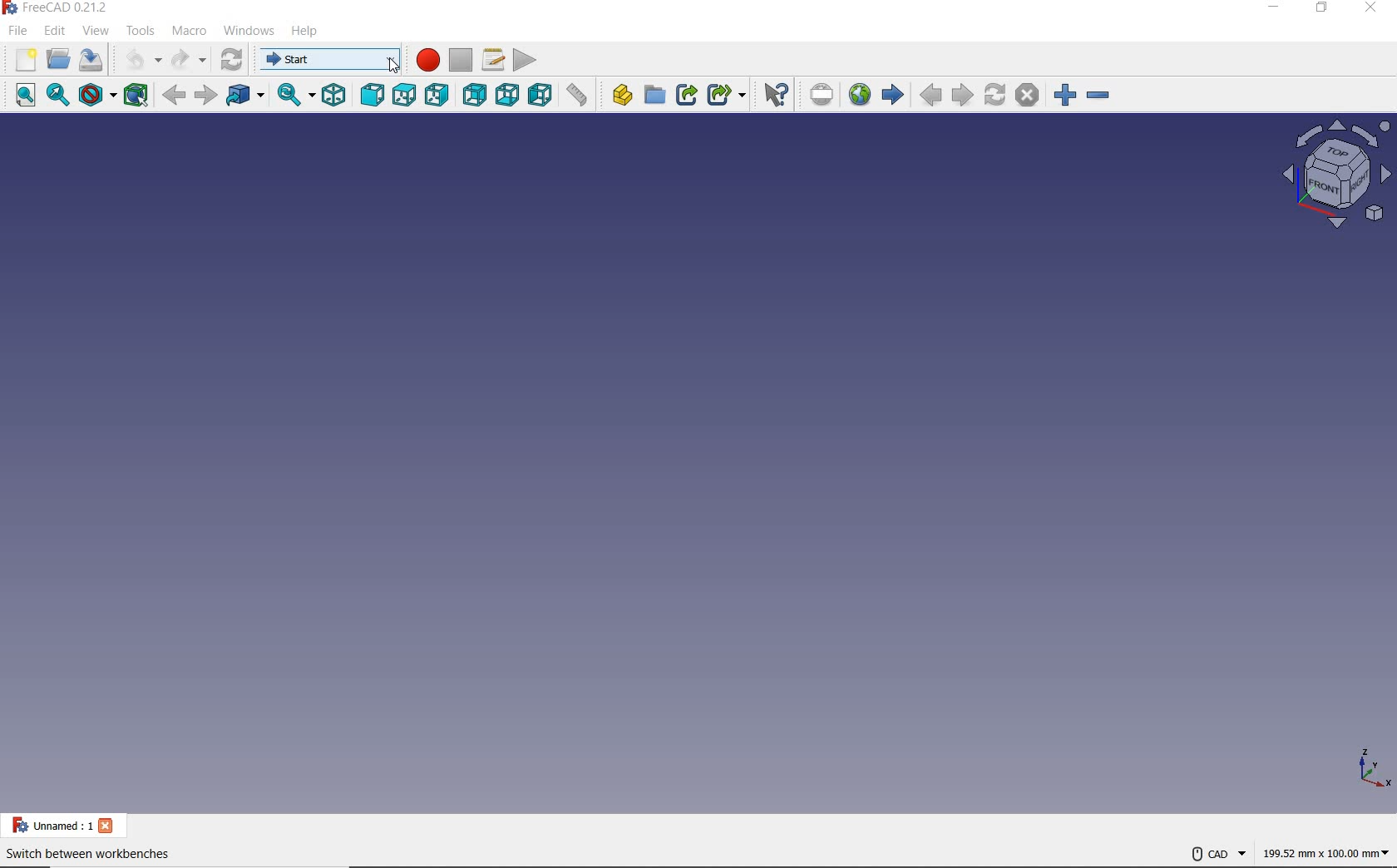  Describe the element at coordinates (142, 60) in the screenshot. I see `UNDO` at that location.